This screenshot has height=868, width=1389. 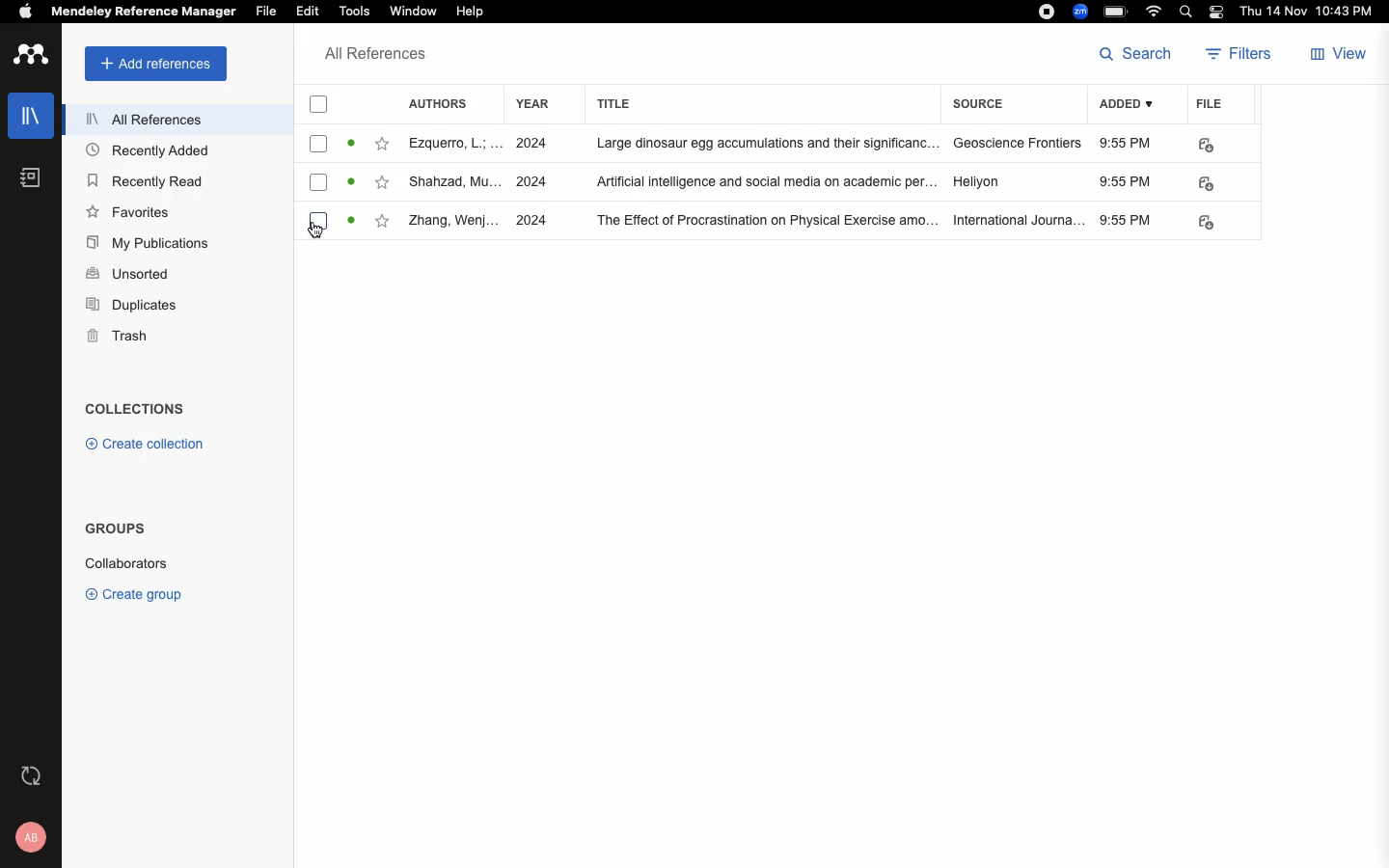 I want to click on Authors, so click(x=445, y=102).